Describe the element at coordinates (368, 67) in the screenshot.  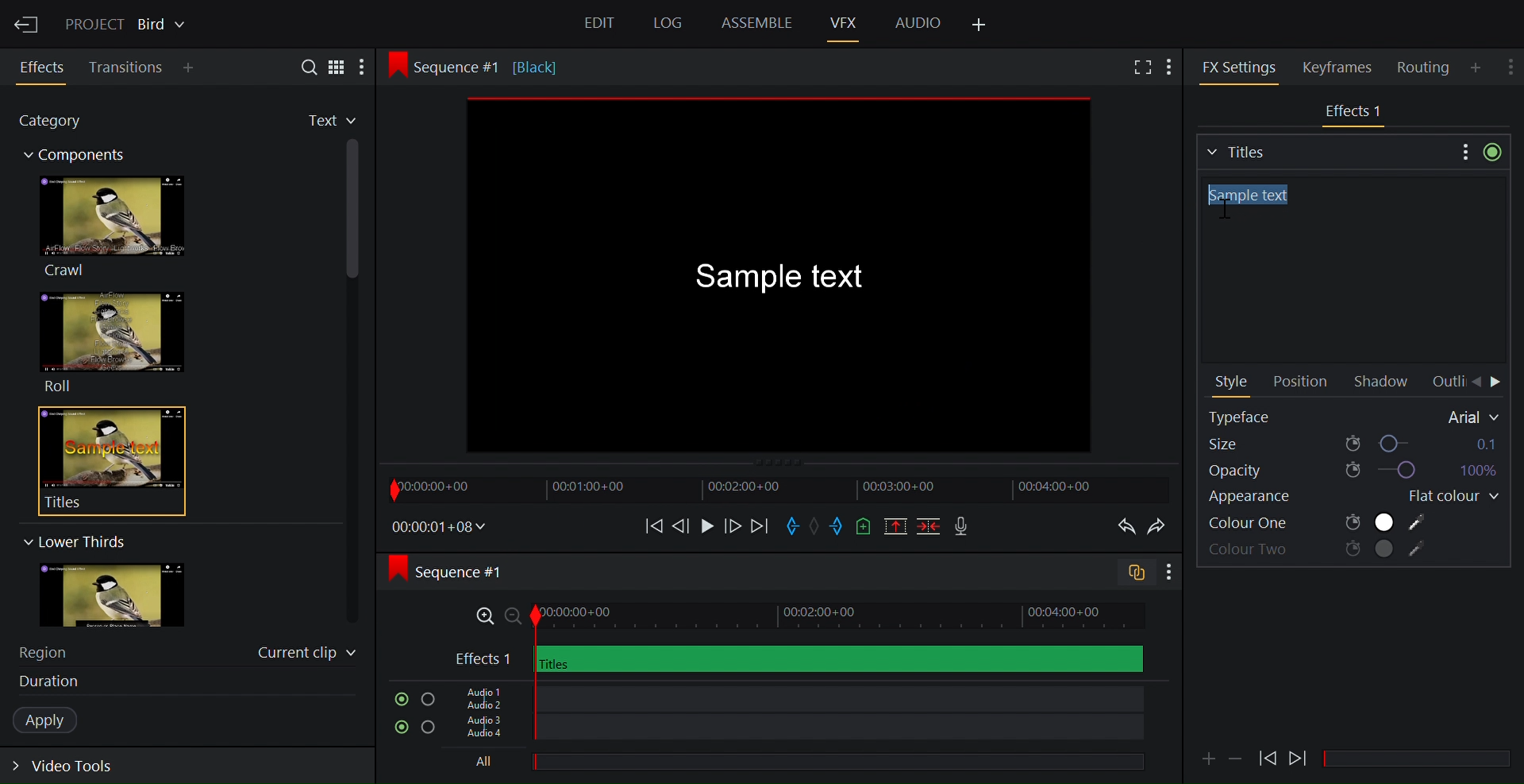
I see `More` at that location.